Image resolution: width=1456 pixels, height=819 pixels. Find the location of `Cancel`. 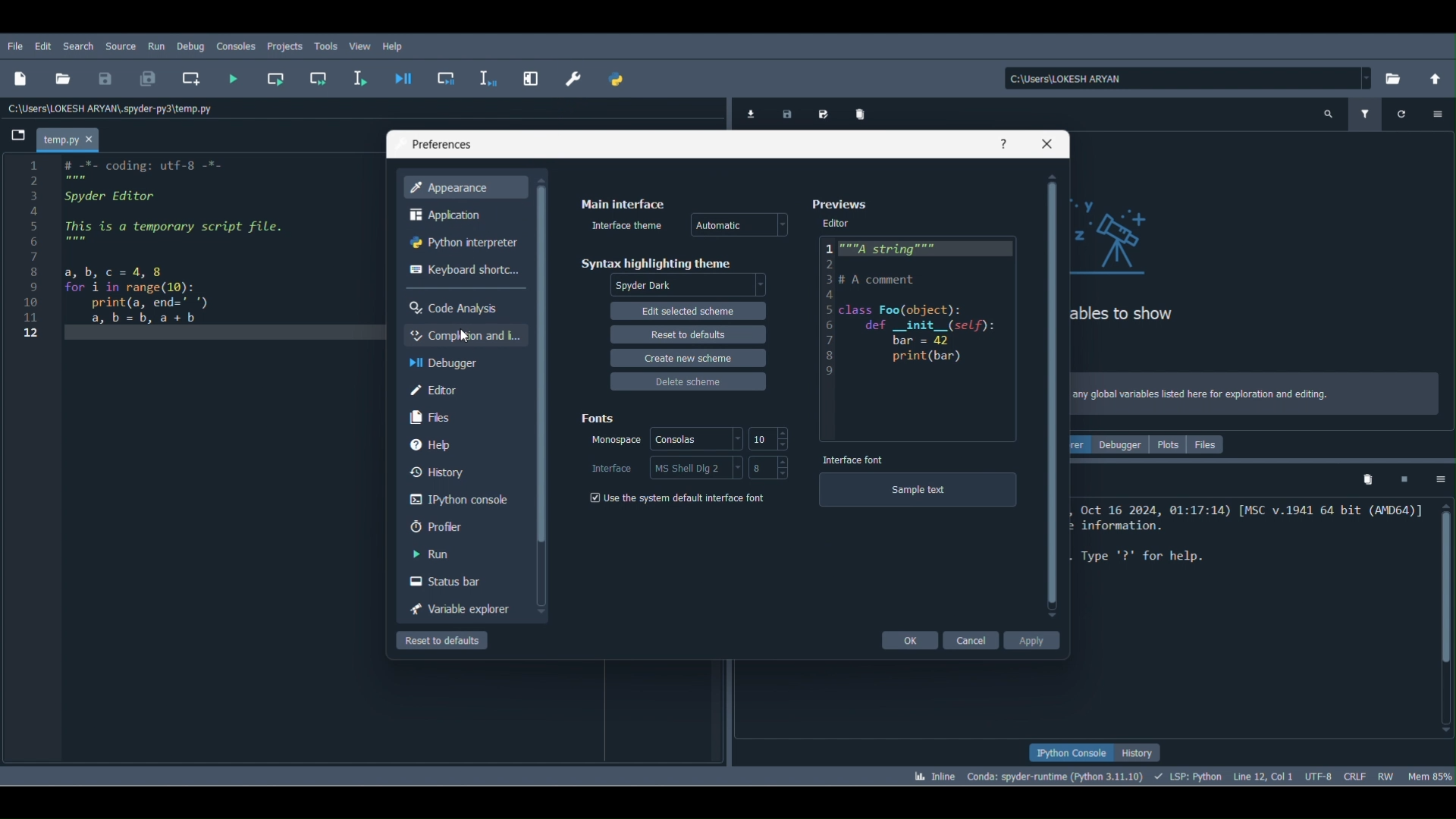

Cancel is located at coordinates (973, 641).